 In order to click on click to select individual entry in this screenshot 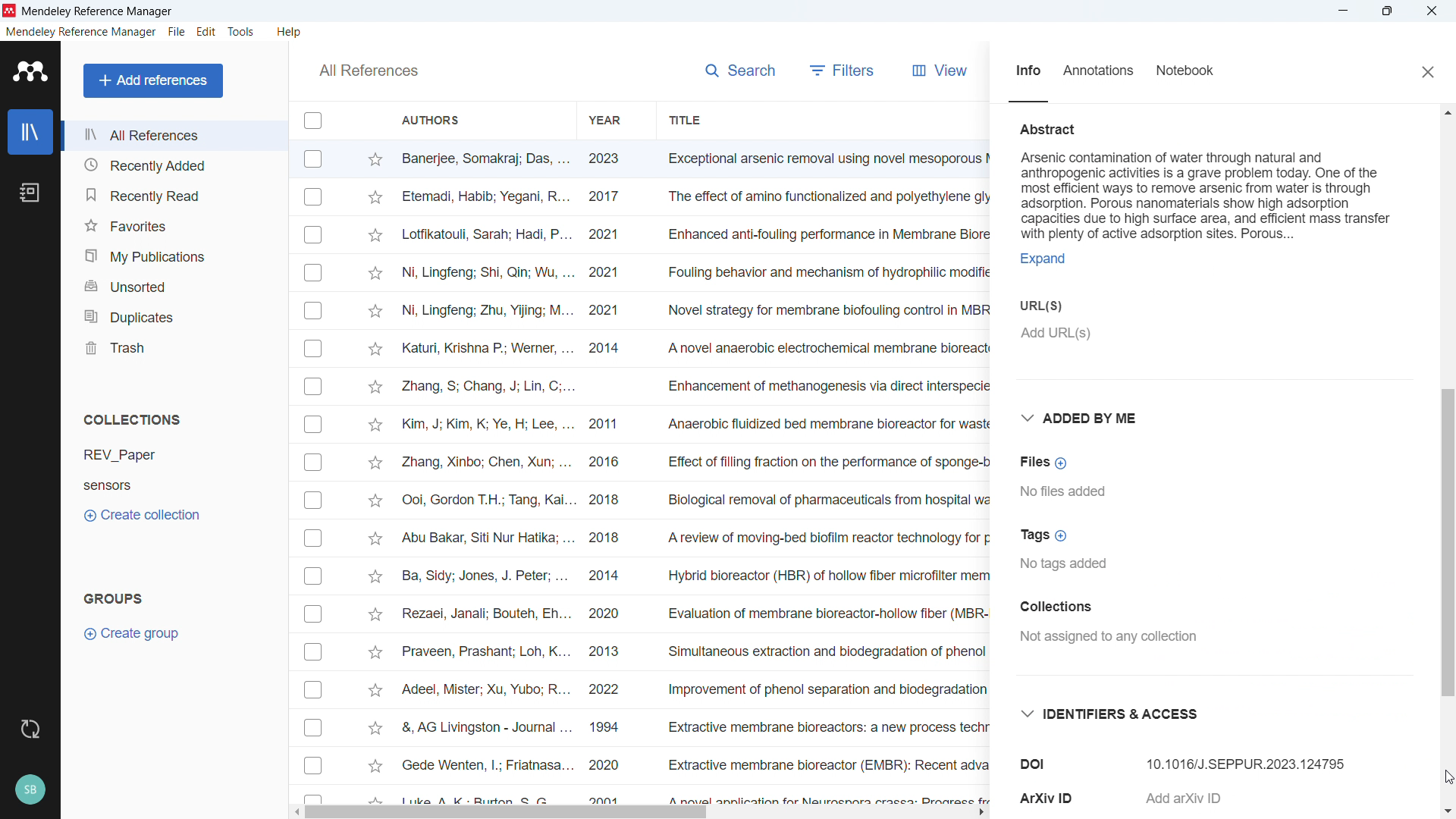, I will do `click(315, 795)`.